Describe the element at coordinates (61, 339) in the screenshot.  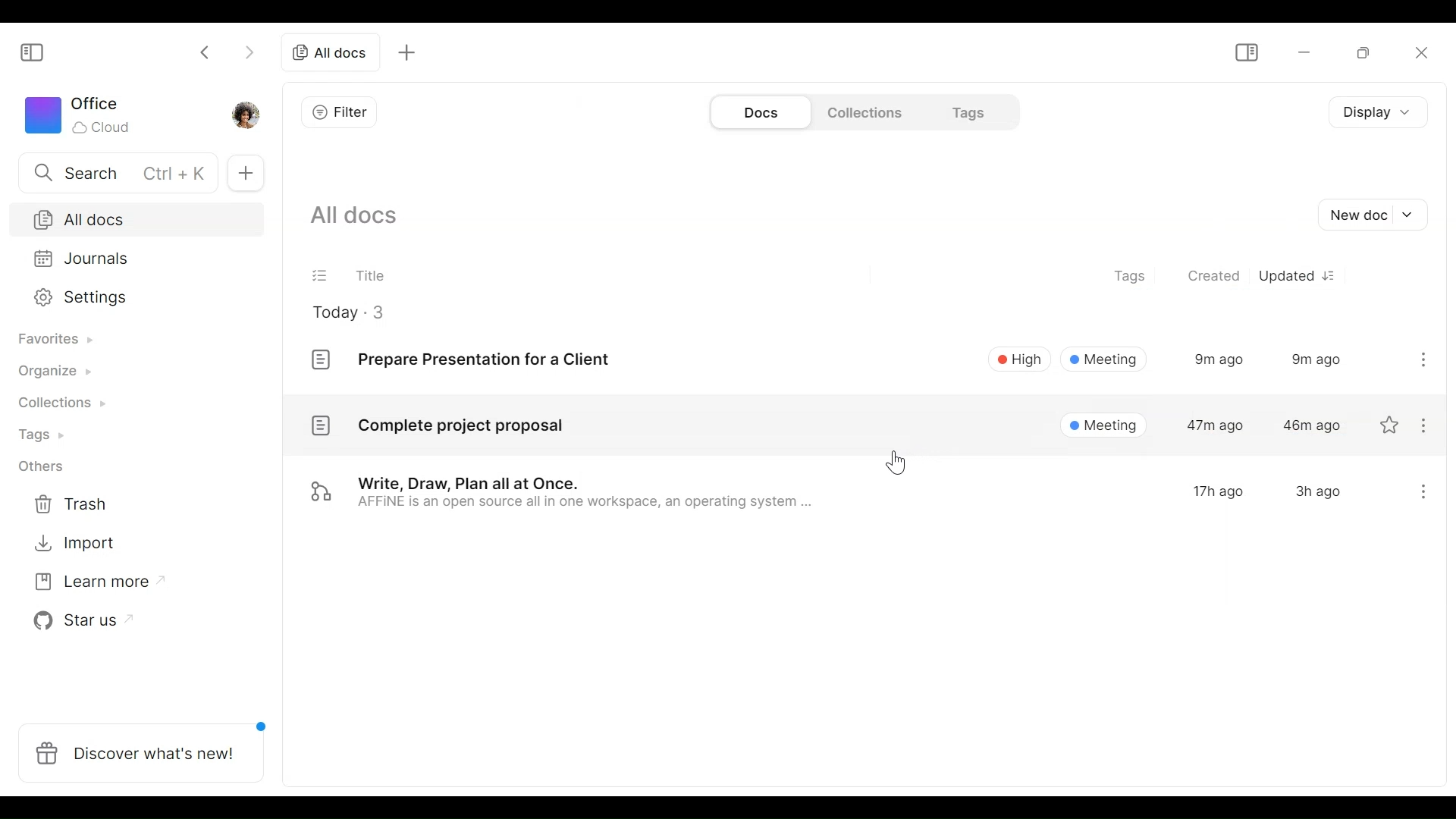
I see `Favorites` at that location.